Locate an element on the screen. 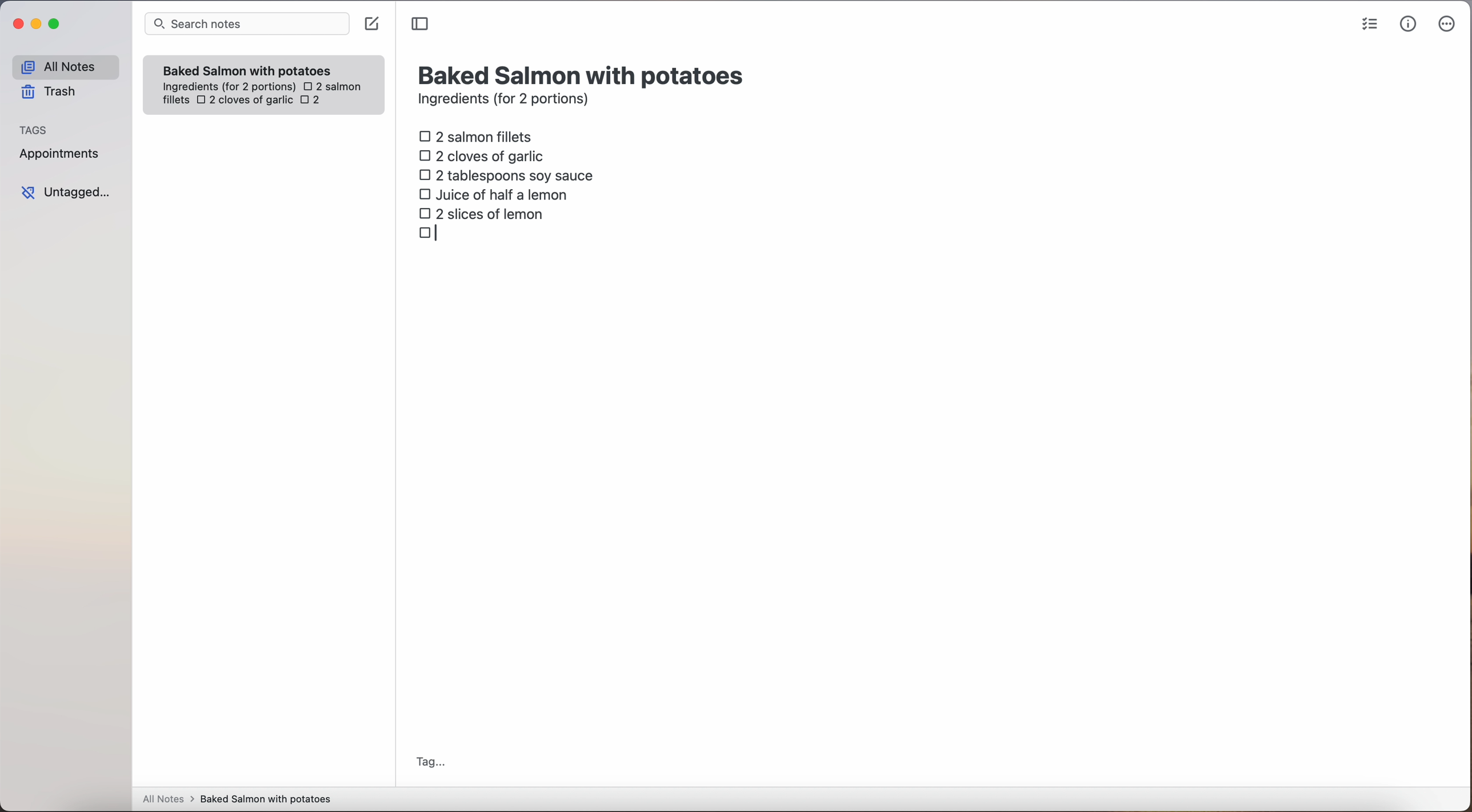  2  is located at coordinates (314, 101).